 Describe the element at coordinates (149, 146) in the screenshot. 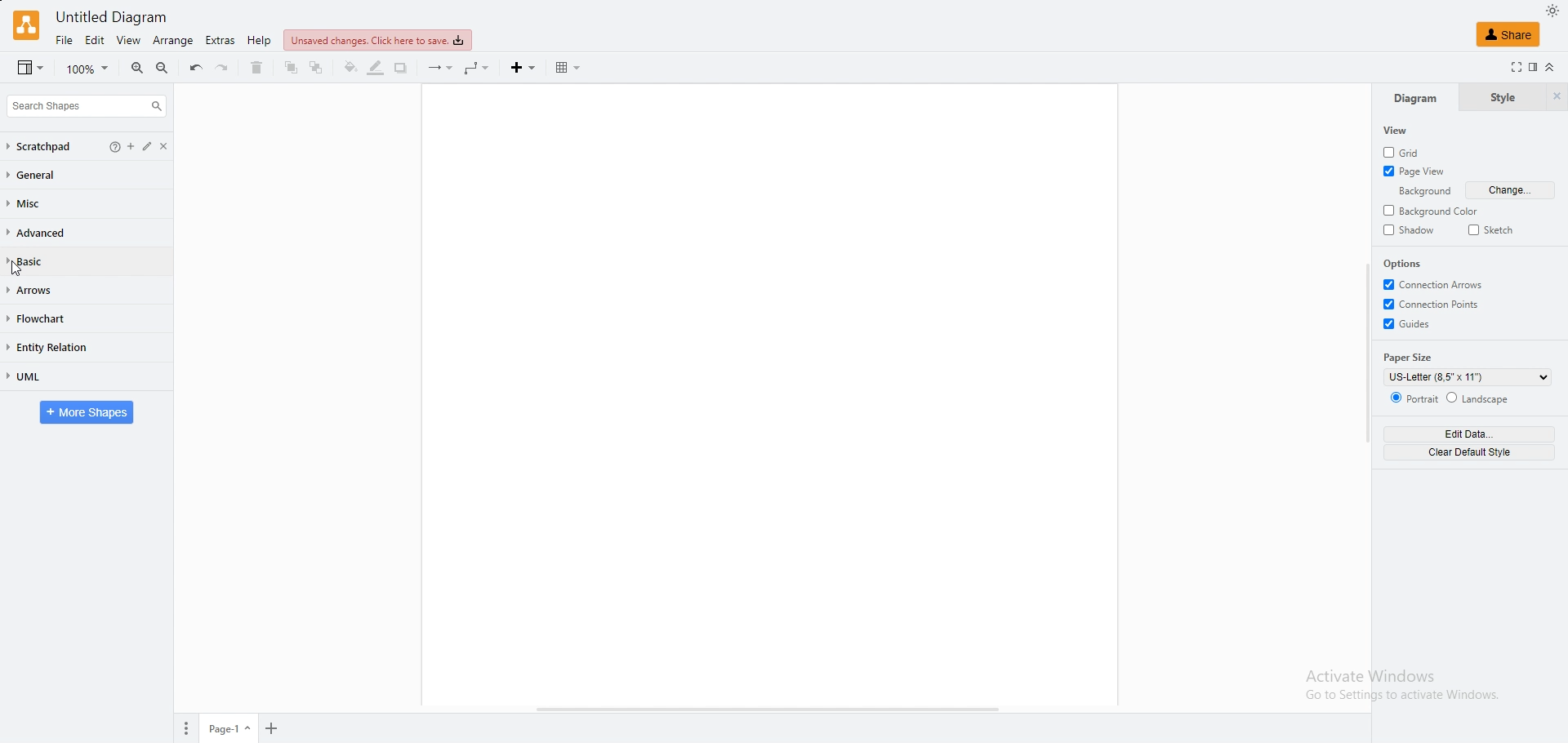

I see `edit` at that location.